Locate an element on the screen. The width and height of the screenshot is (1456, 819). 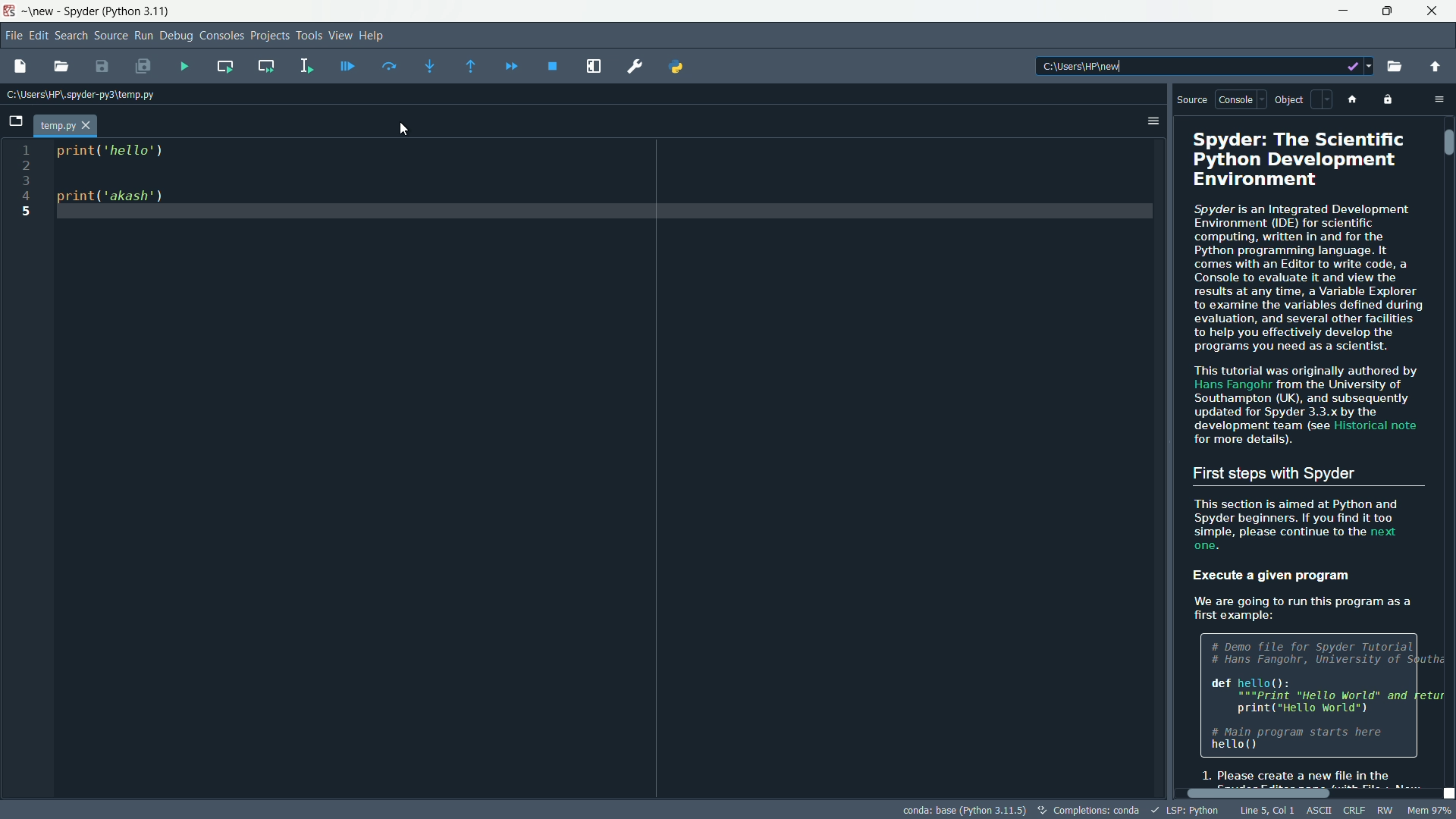
help menu is located at coordinates (375, 36).